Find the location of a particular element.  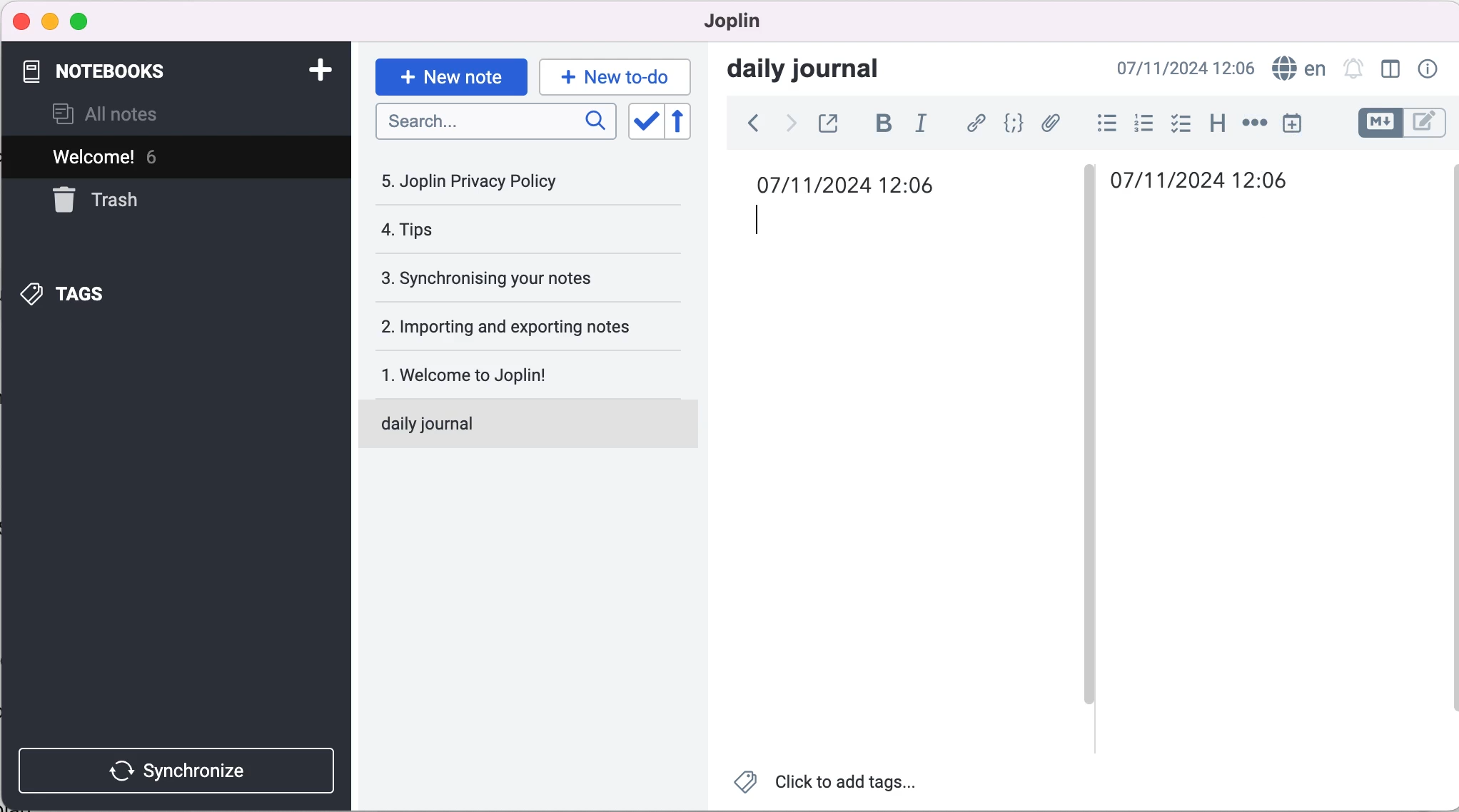

back is located at coordinates (747, 123).